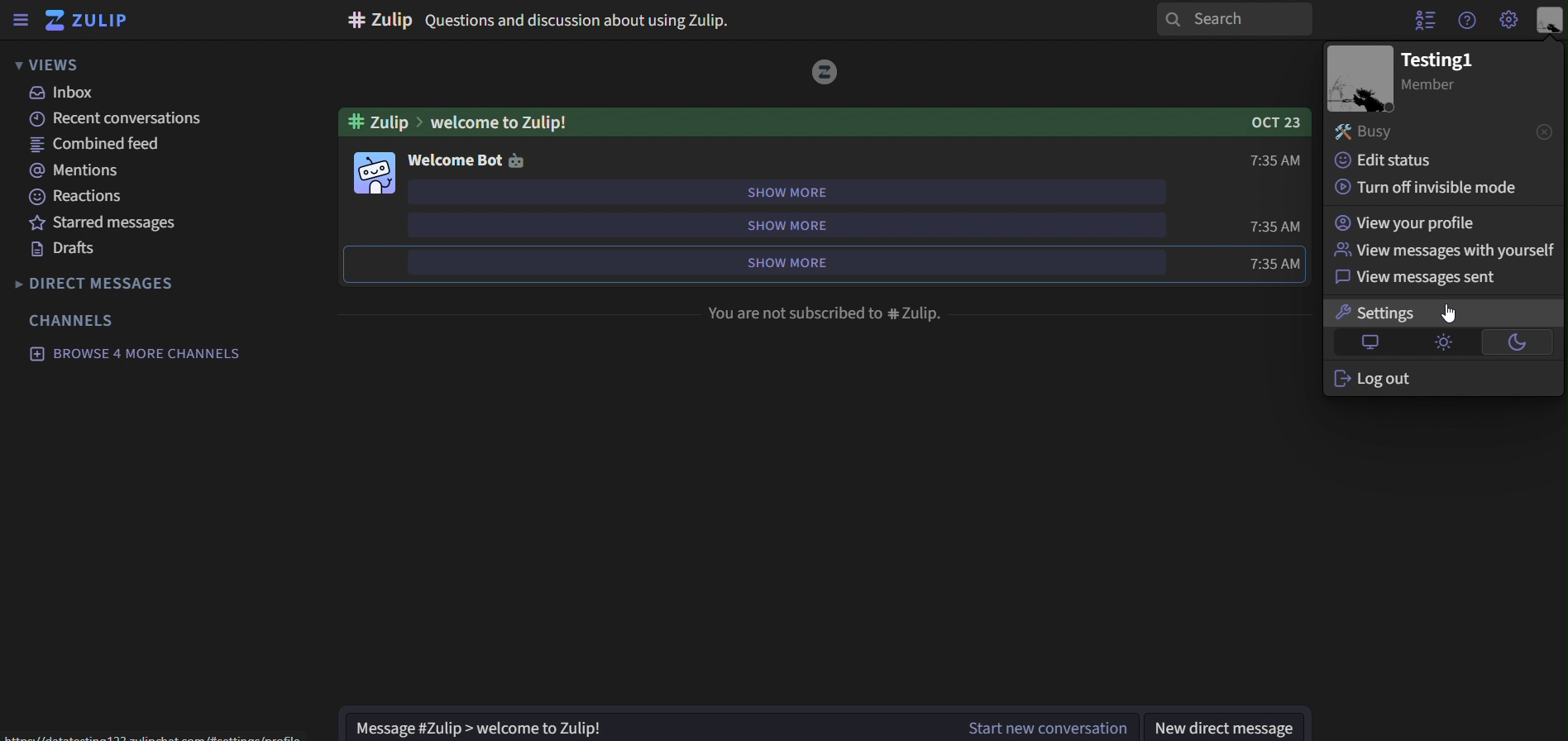 This screenshot has height=741, width=1568. Describe the element at coordinates (1360, 79) in the screenshot. I see `Image` at that location.